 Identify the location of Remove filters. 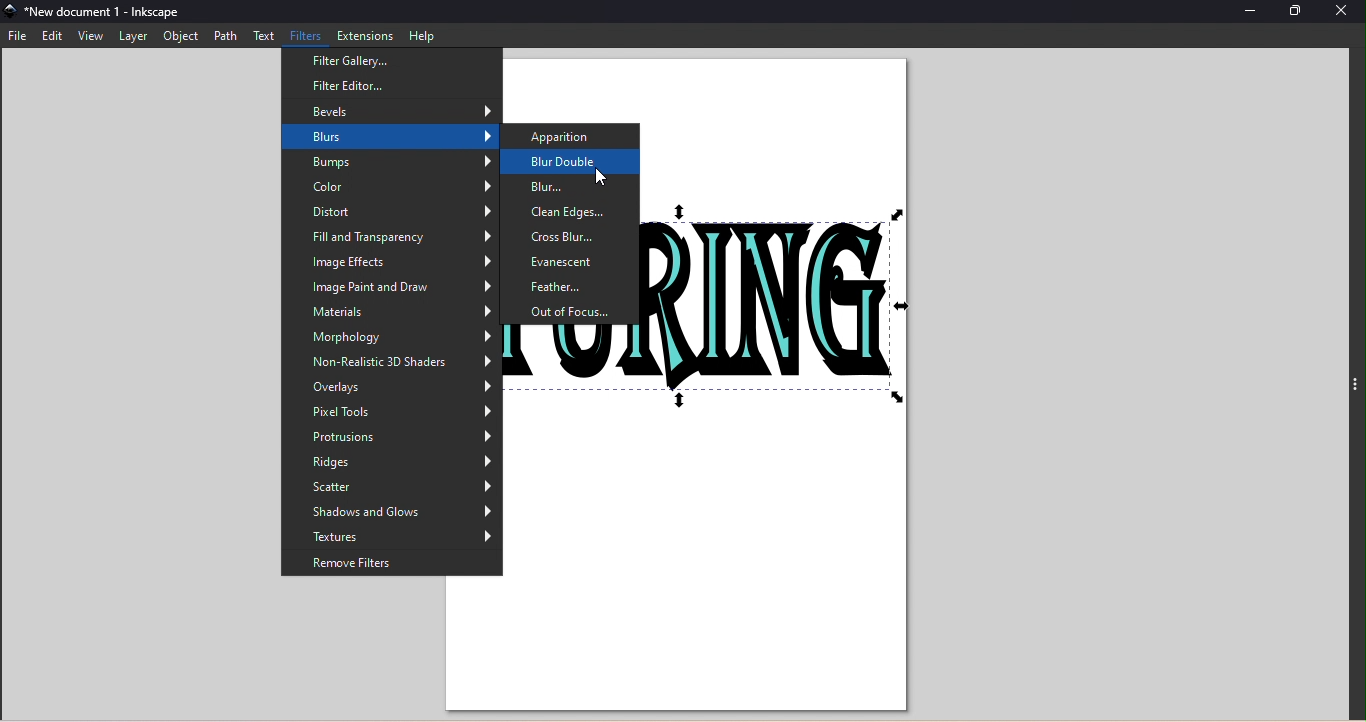
(393, 566).